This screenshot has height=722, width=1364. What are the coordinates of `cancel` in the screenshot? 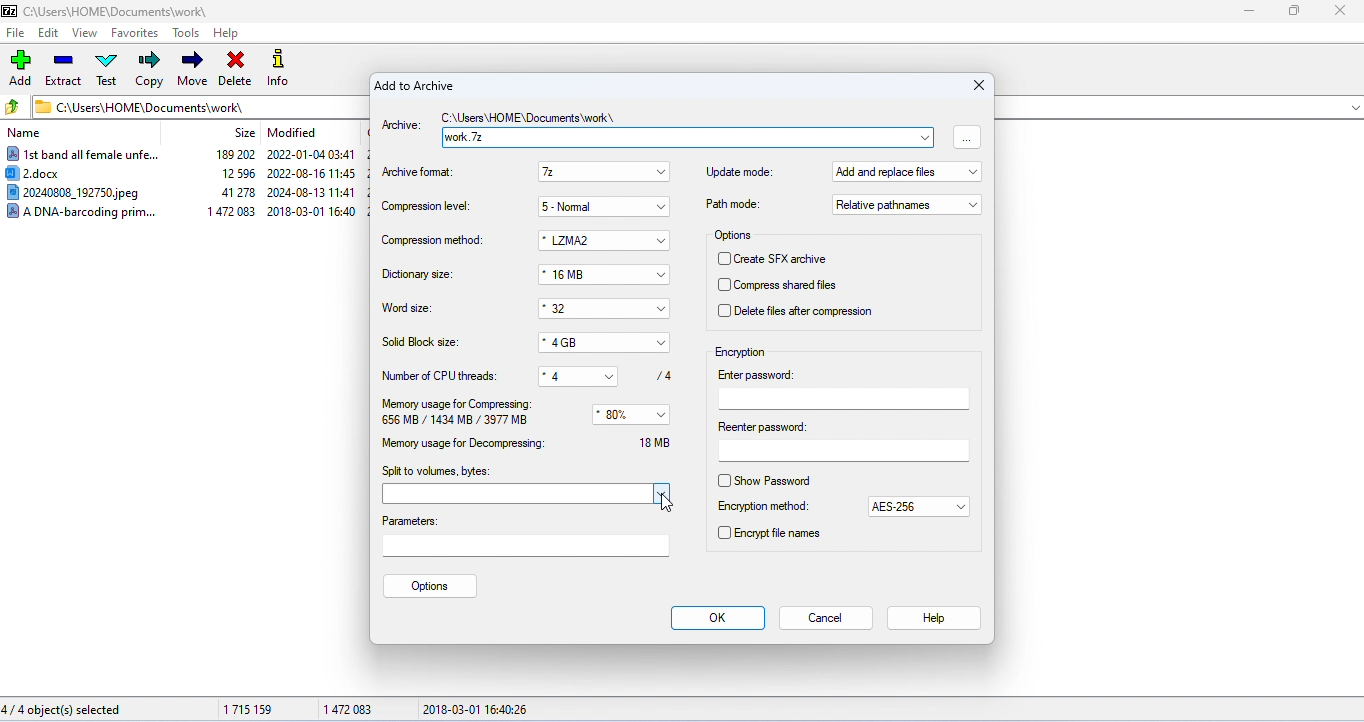 It's located at (827, 618).